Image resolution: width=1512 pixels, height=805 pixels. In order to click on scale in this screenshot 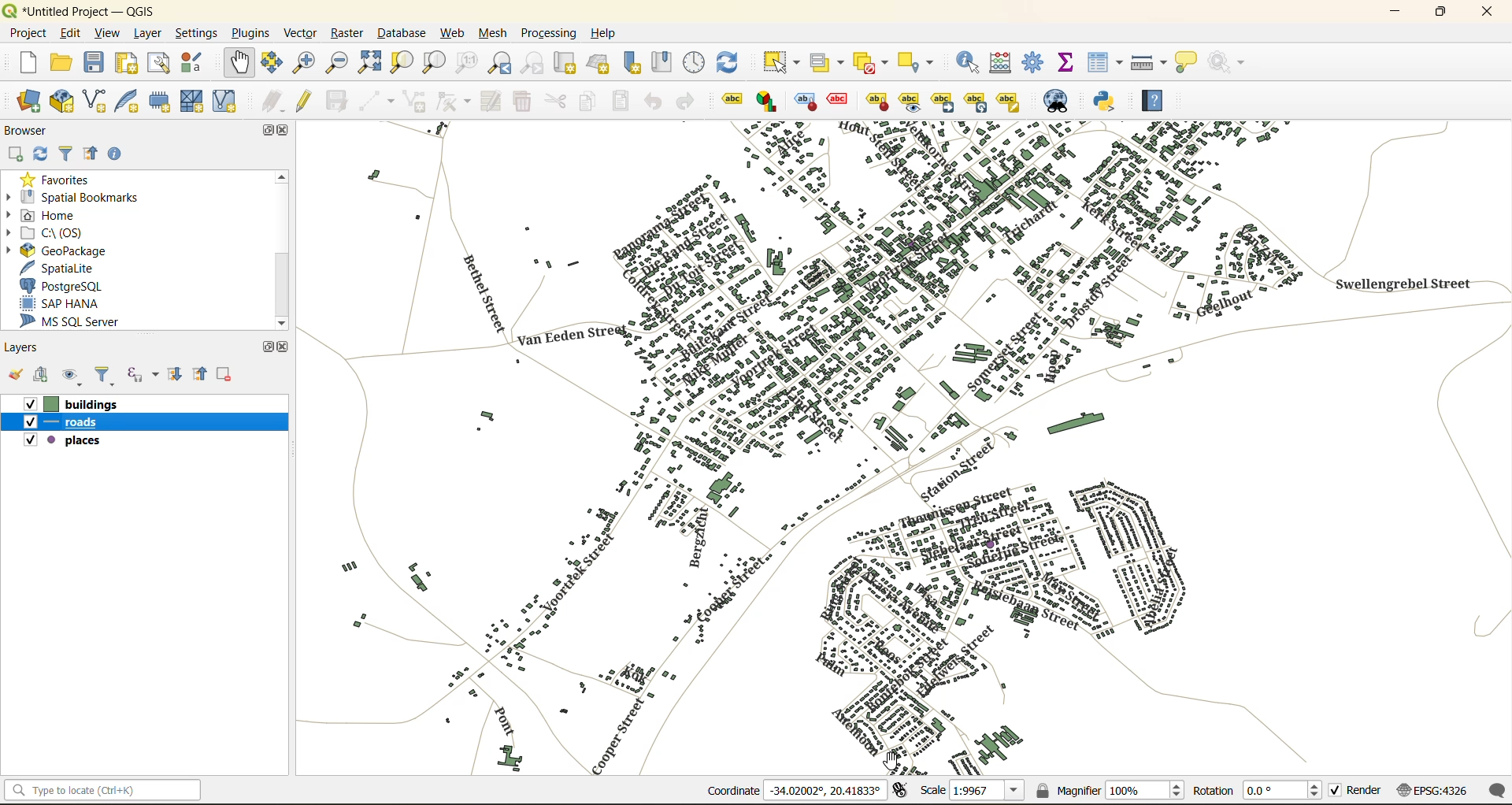, I will do `click(973, 792)`.